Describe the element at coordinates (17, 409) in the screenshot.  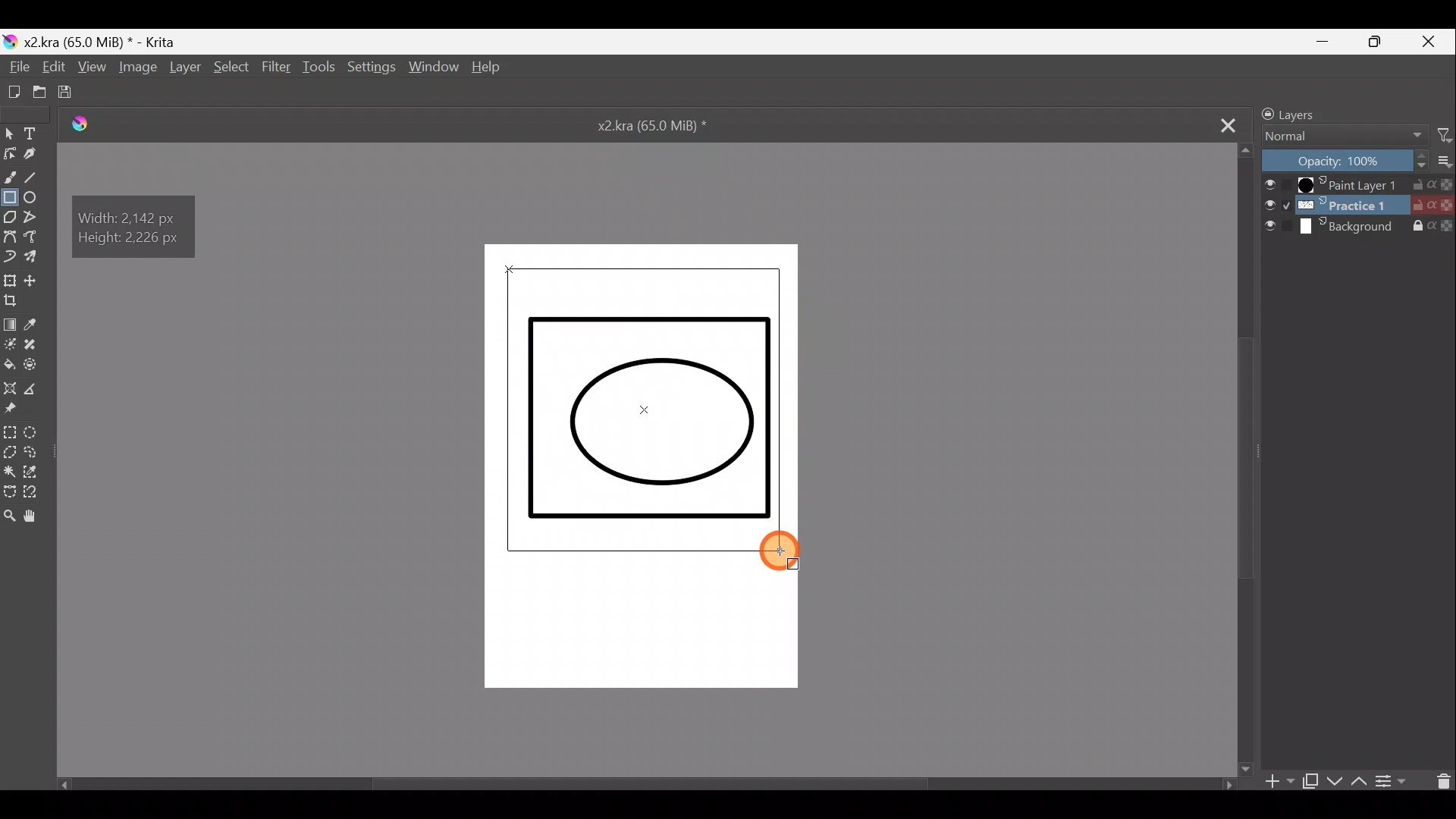
I see `Reference images tool` at that location.